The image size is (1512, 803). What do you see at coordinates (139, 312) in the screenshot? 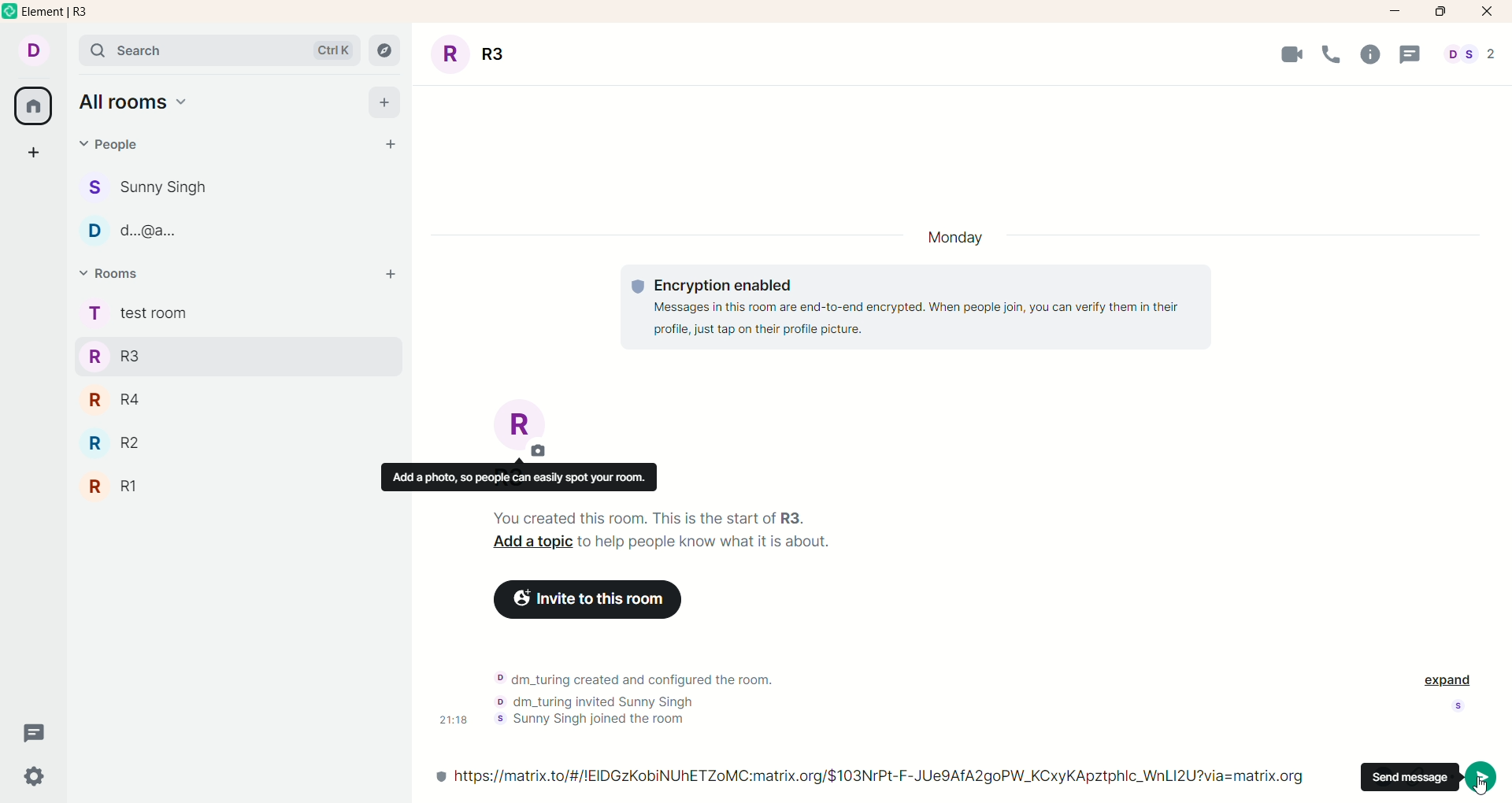
I see `rooms` at bounding box center [139, 312].